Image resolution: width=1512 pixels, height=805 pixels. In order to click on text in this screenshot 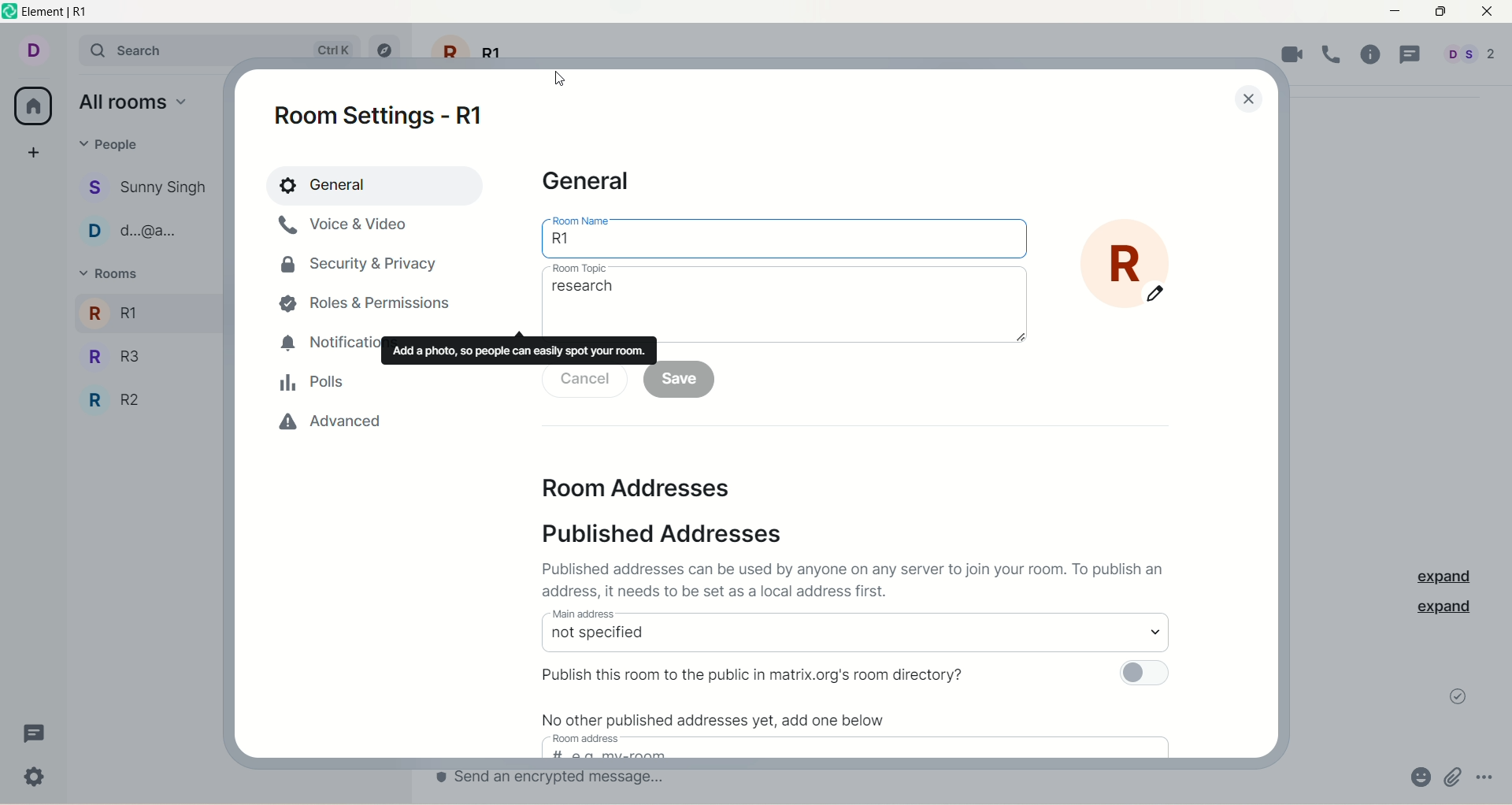, I will do `click(853, 581)`.